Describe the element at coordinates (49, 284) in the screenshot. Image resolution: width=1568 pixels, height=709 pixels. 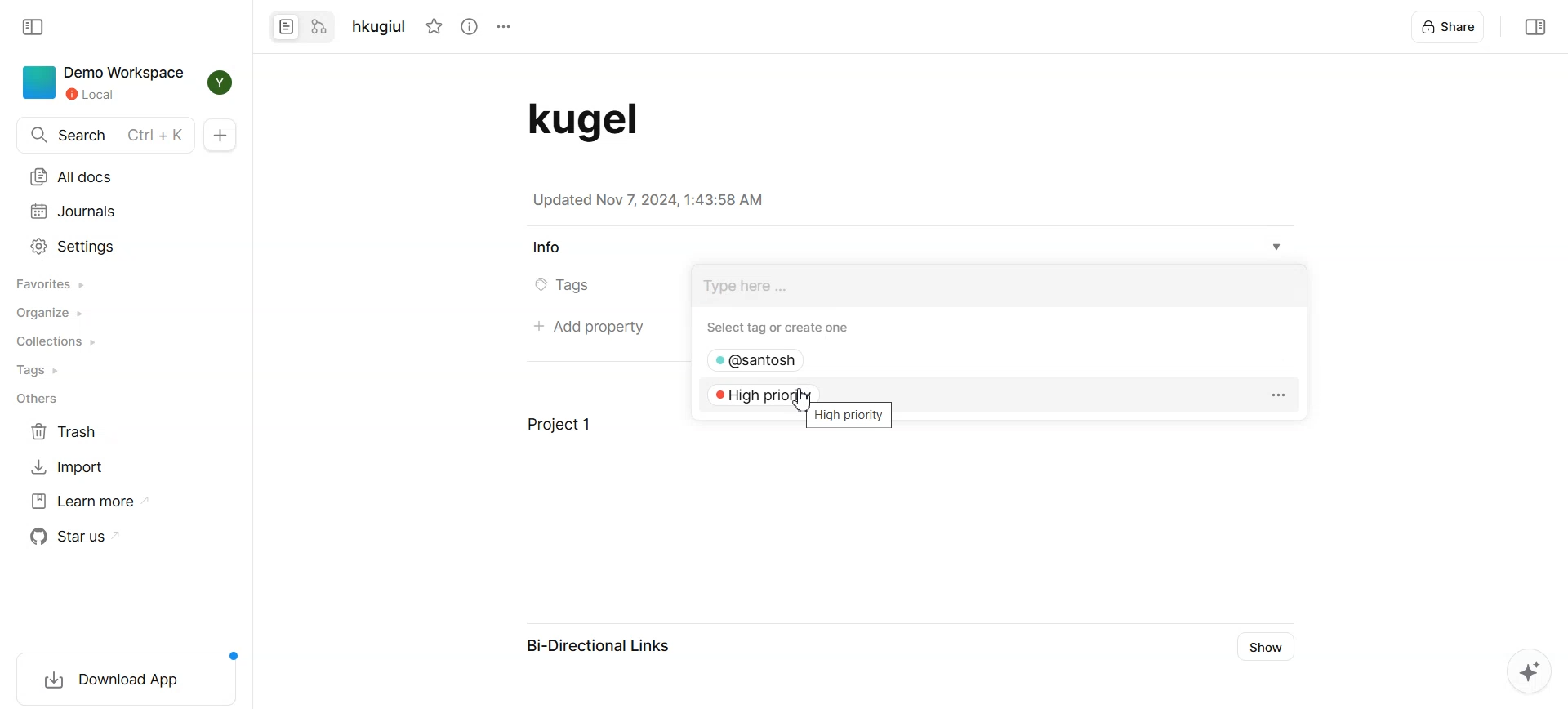
I see `Favorites` at that location.